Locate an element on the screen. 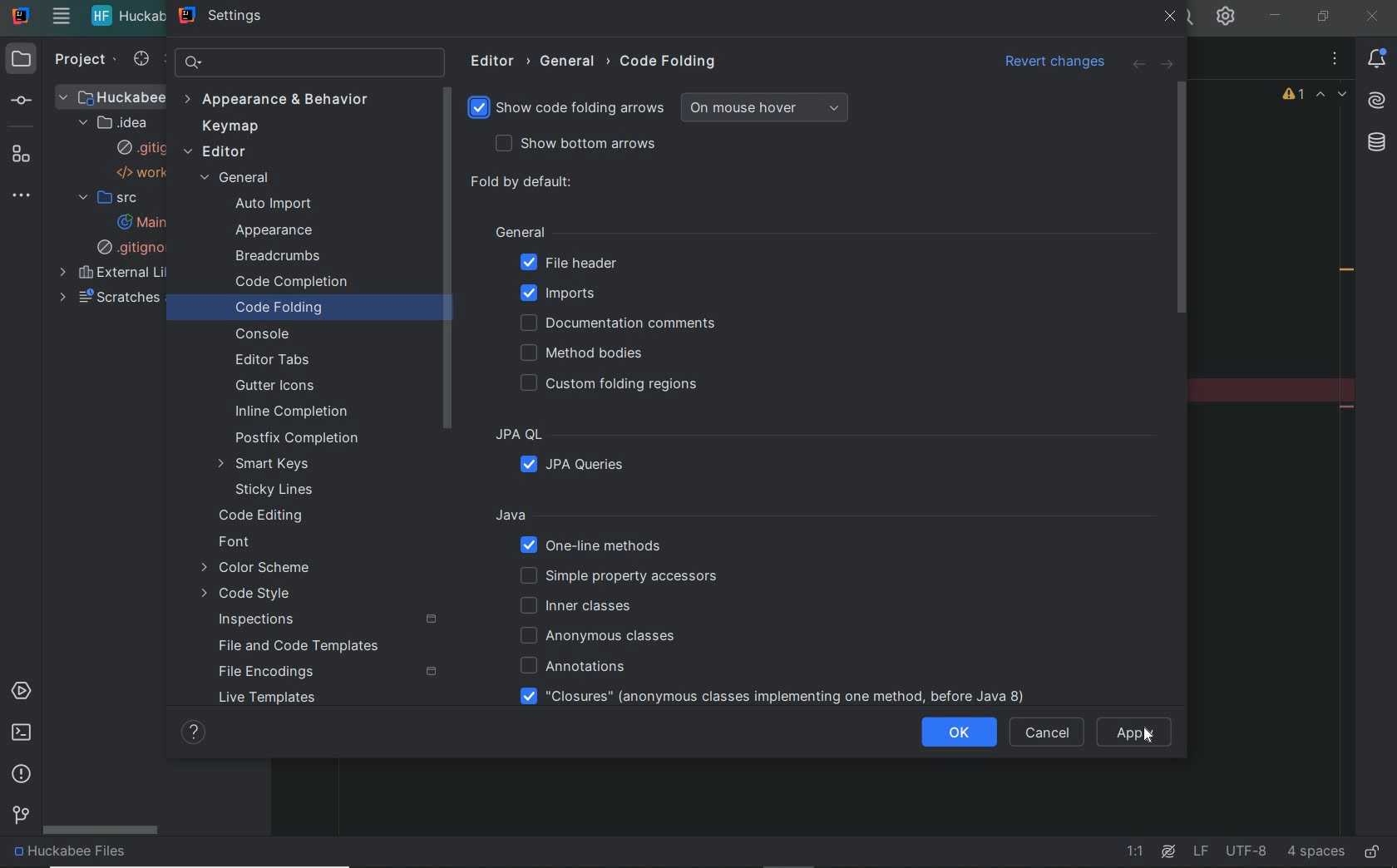 The image size is (1397, 868). project file name is located at coordinates (128, 17).